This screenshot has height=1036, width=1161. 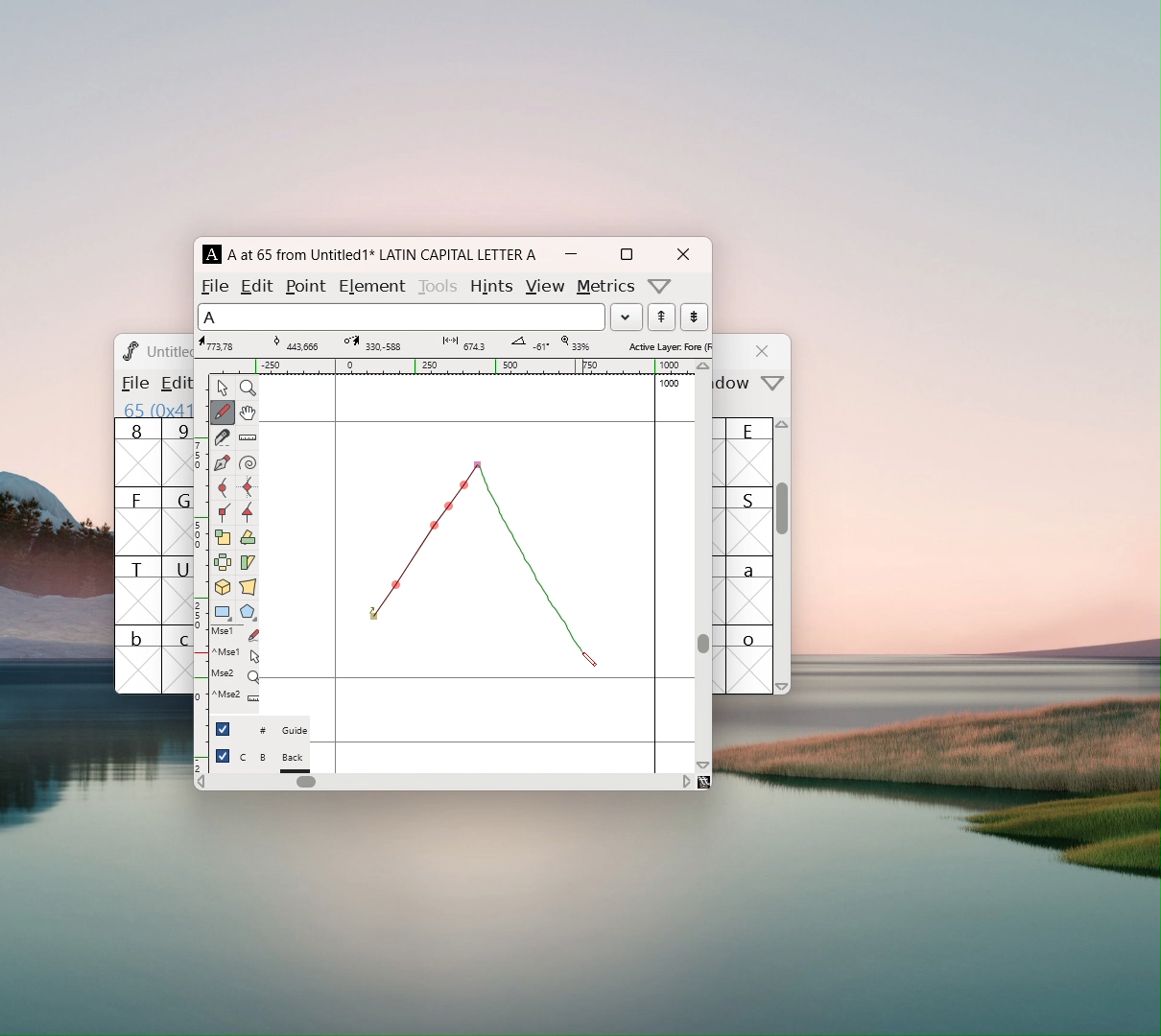 What do you see at coordinates (224, 613) in the screenshot?
I see `rectangle or ellipse` at bounding box center [224, 613].